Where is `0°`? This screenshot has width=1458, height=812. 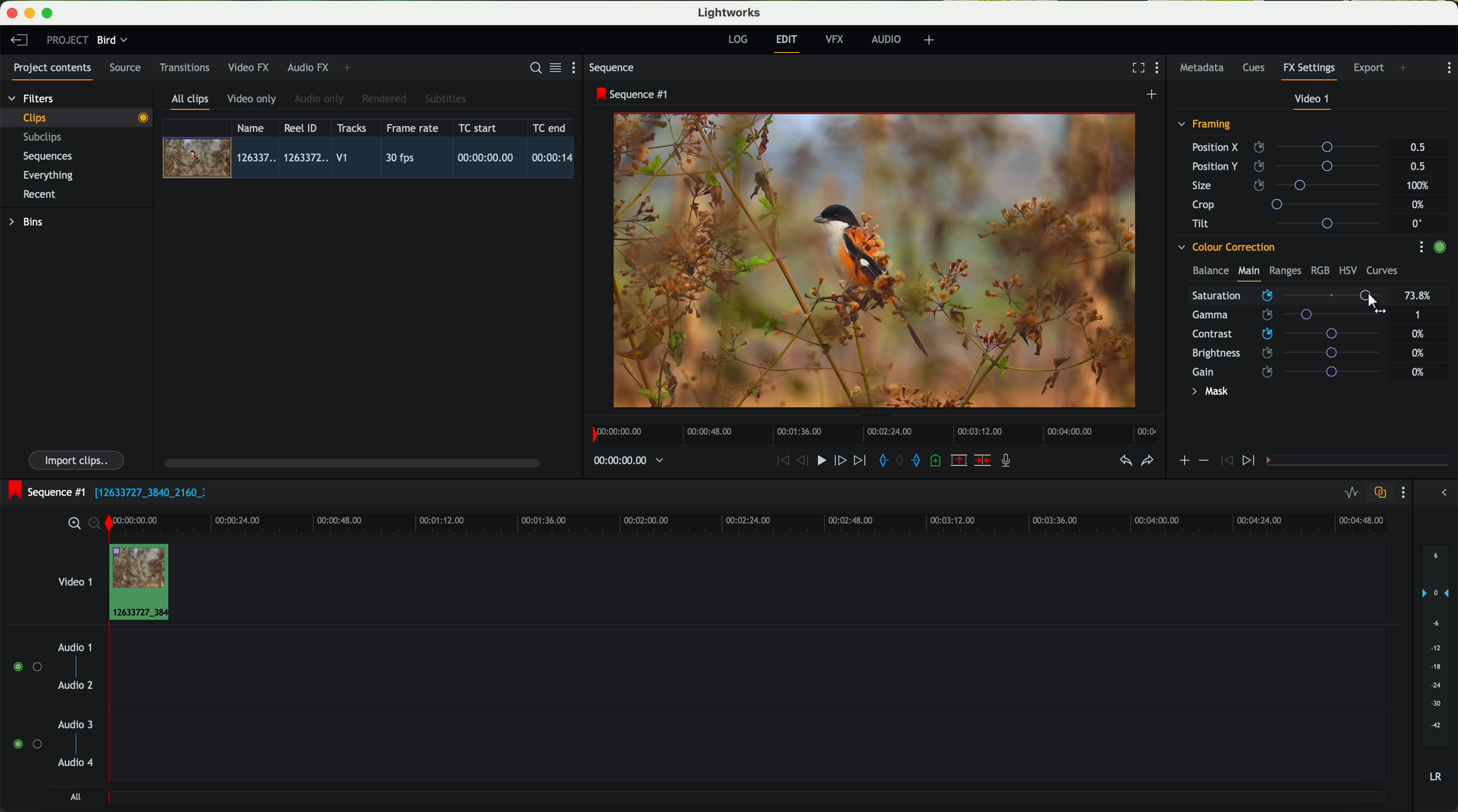 0° is located at coordinates (1418, 223).